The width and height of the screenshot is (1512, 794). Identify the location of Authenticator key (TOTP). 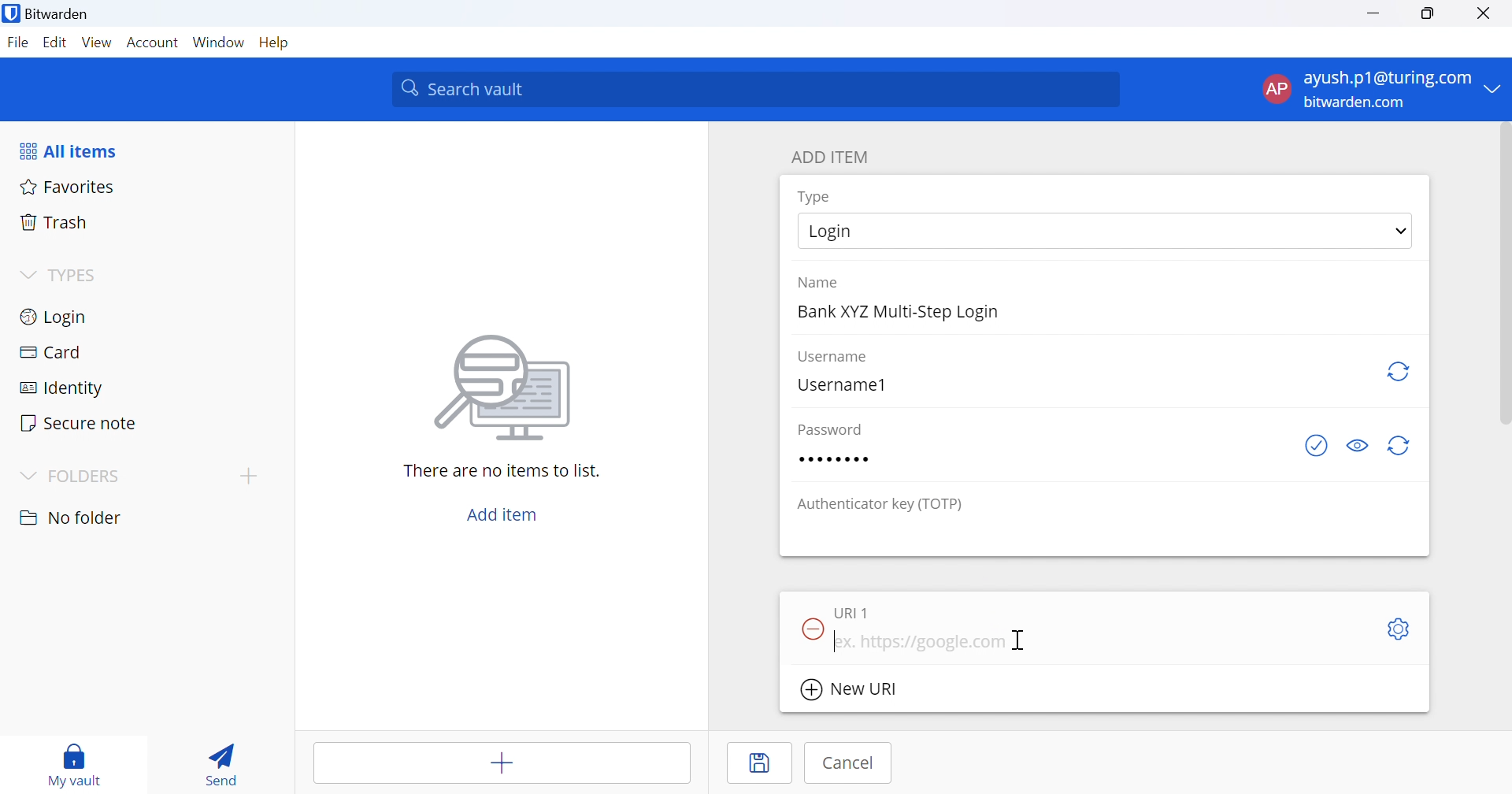
(880, 506).